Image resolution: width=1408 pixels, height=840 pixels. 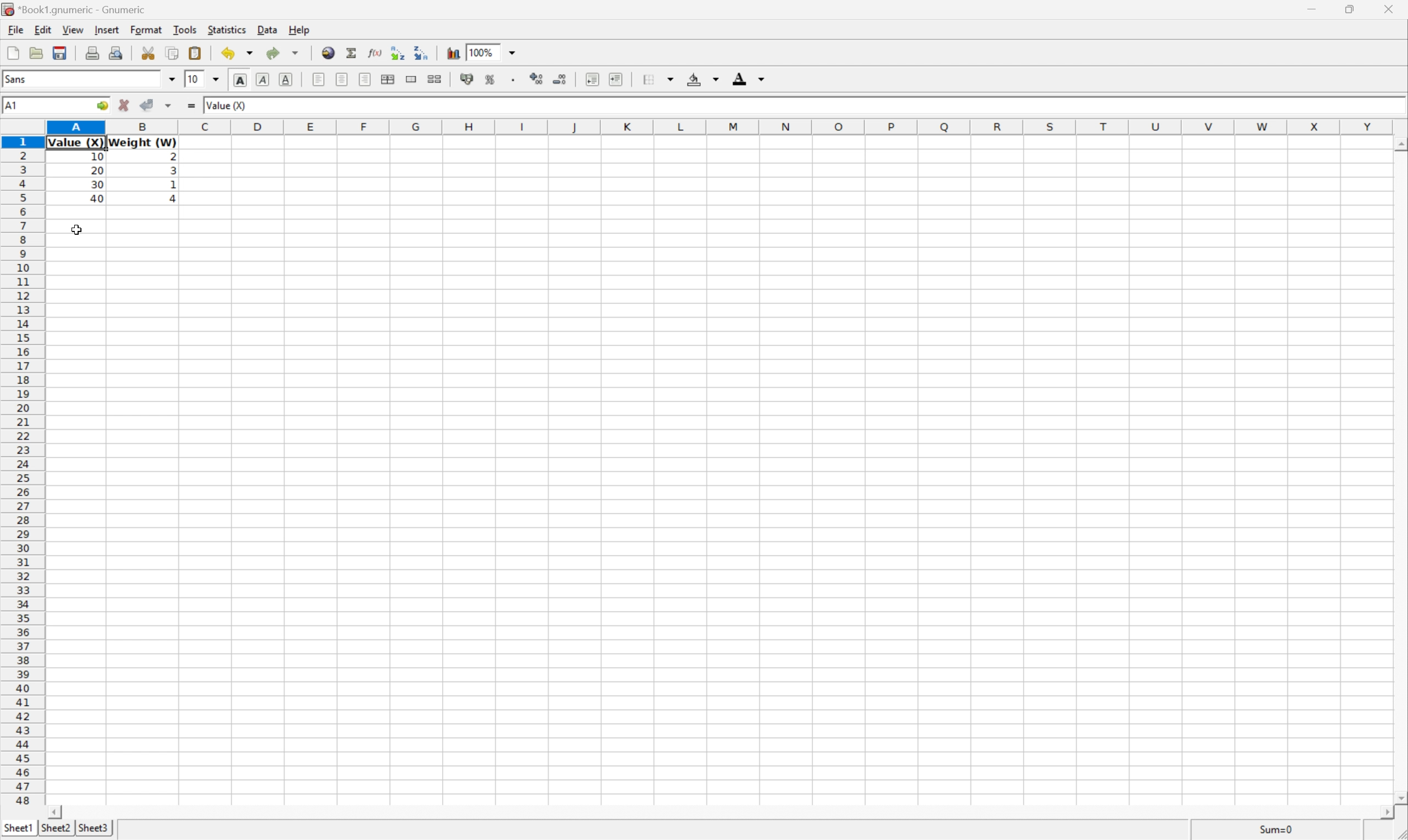 I want to click on Drop Down, so click(x=514, y=53).